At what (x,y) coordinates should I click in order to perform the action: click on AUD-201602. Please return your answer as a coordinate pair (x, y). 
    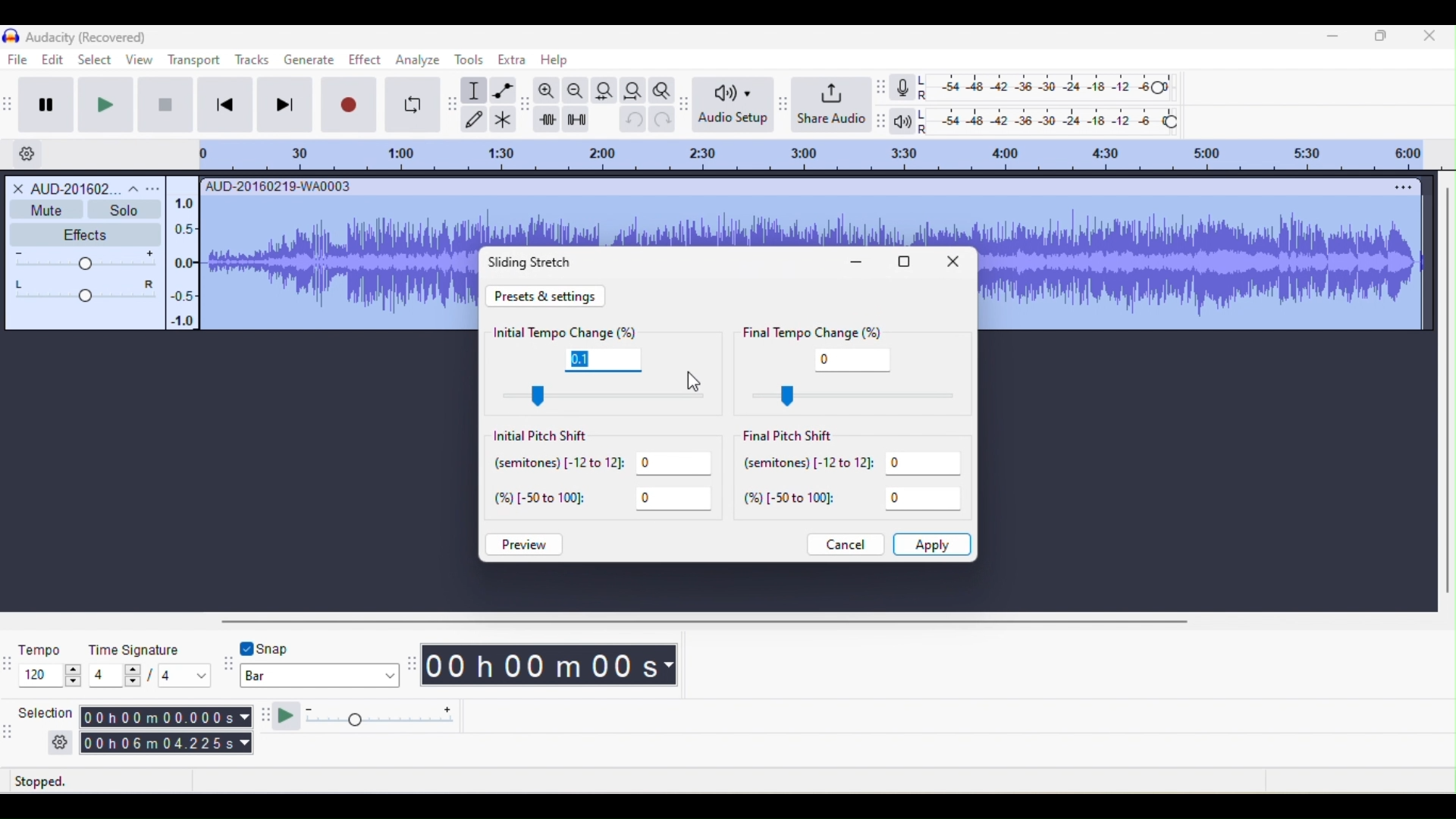
    Looking at the image, I should click on (85, 187).